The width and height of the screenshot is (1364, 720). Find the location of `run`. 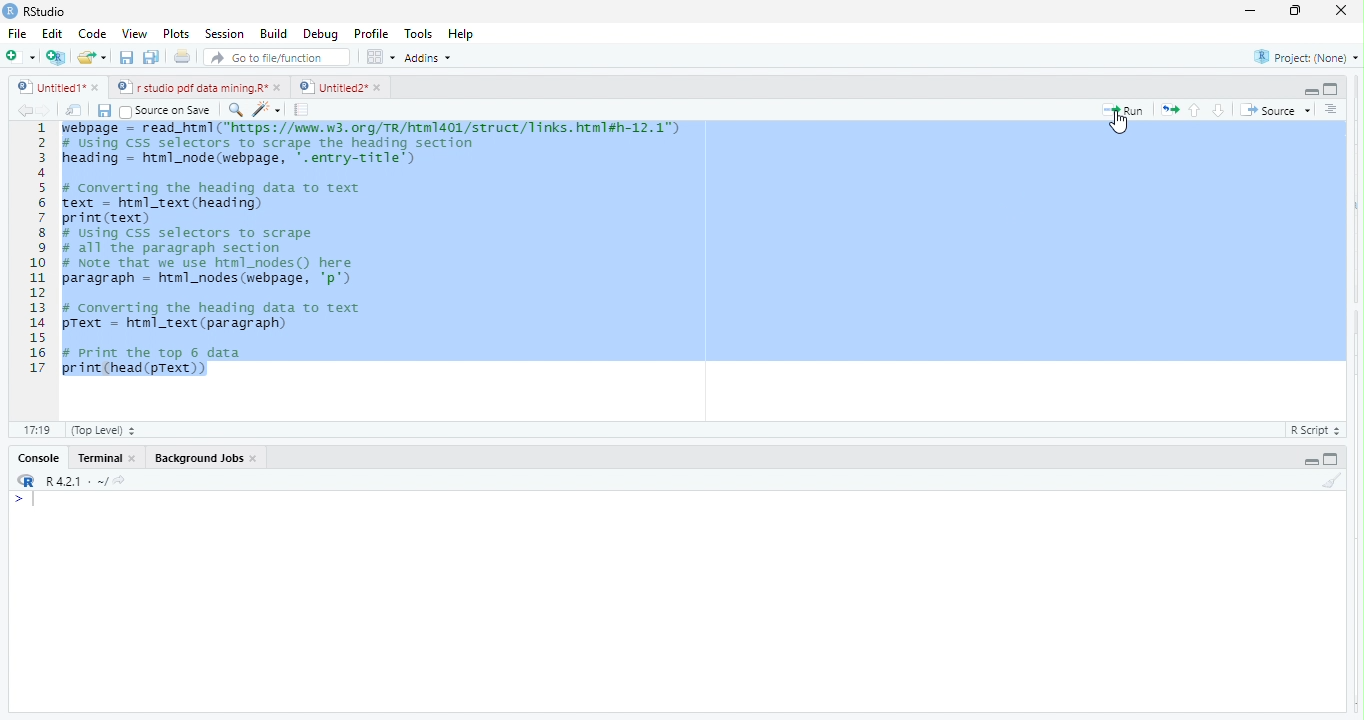

run is located at coordinates (1124, 111).